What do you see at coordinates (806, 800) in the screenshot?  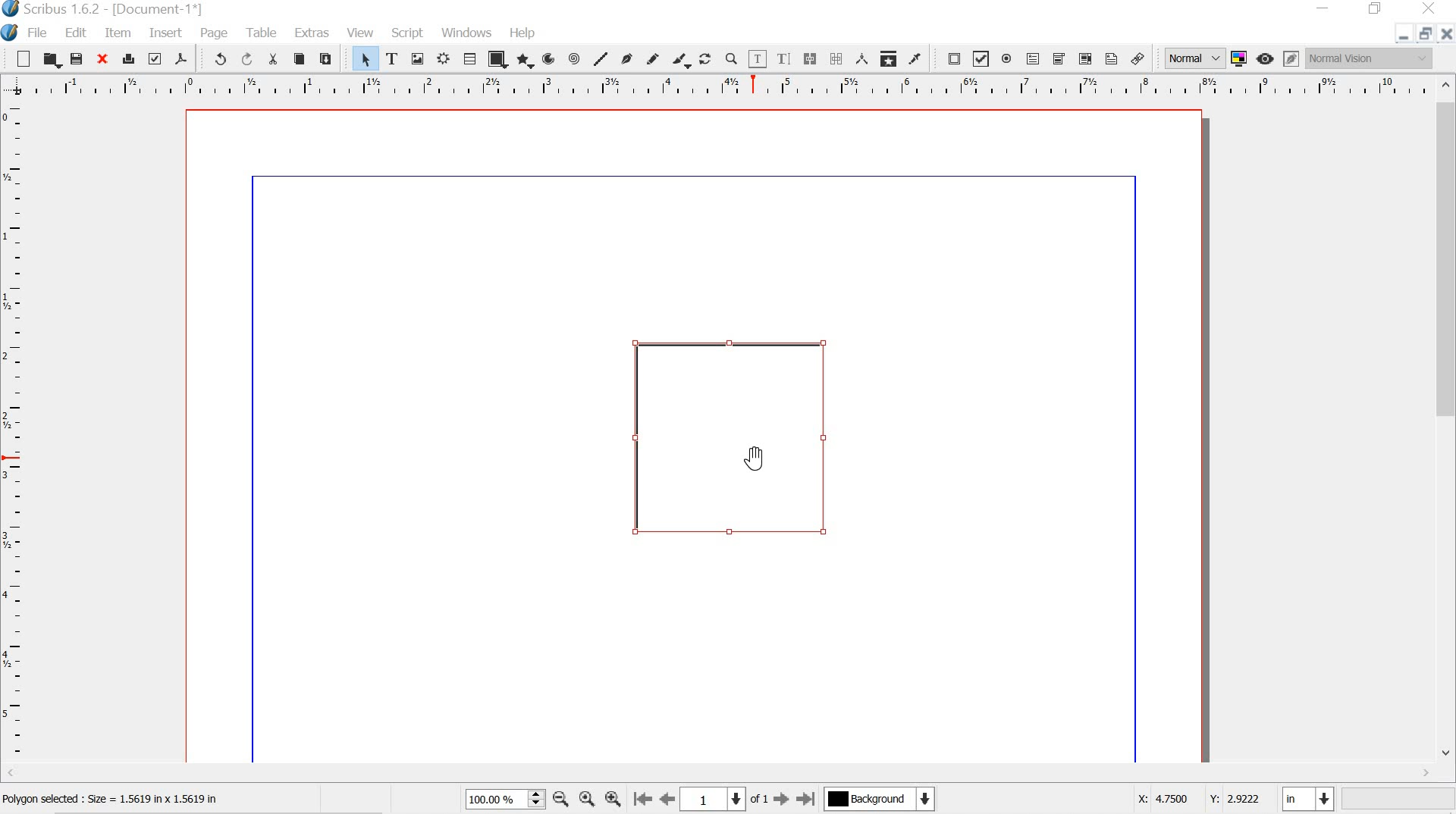 I see `go to last page` at bounding box center [806, 800].